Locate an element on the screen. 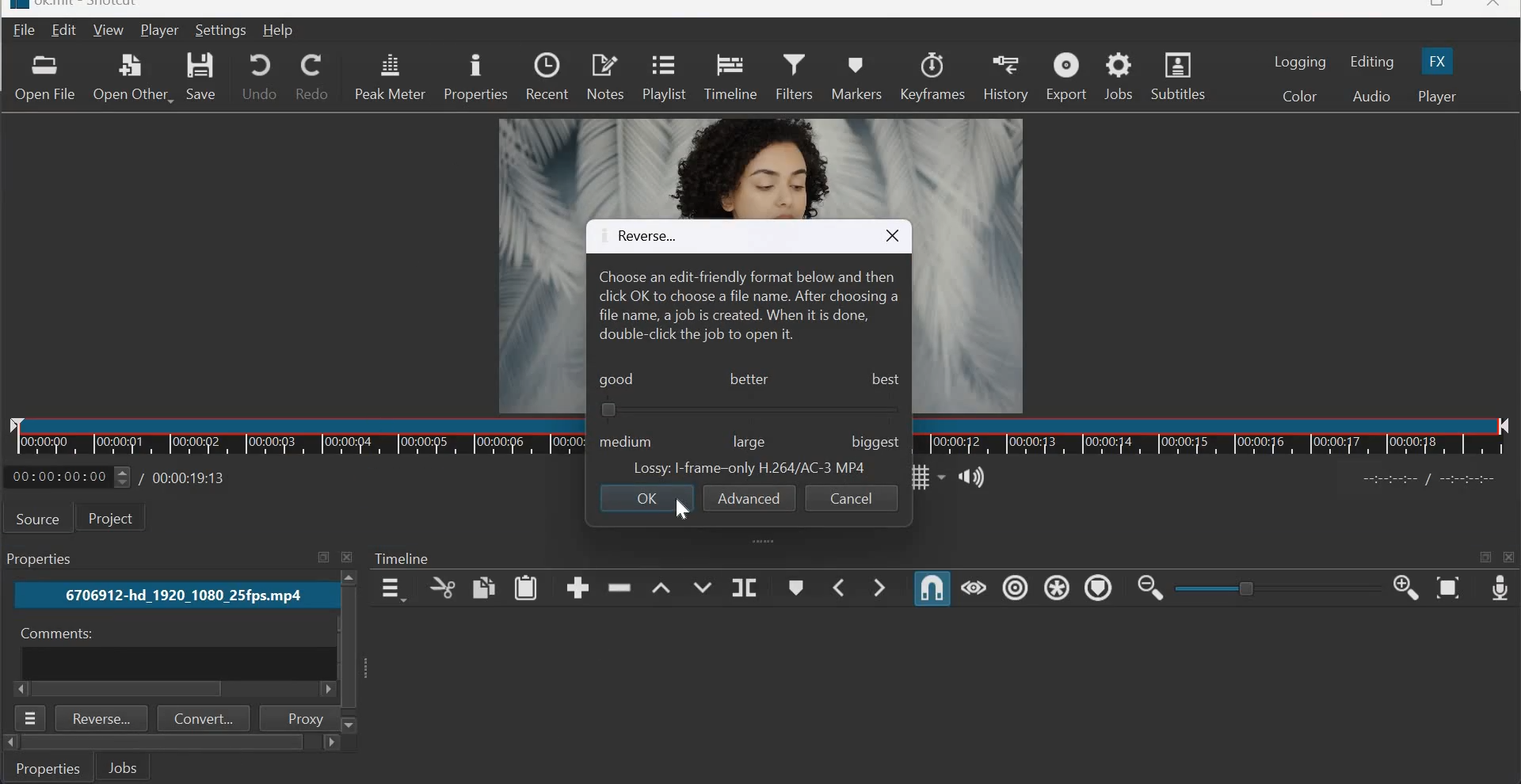 The image size is (1521, 784). FX is located at coordinates (1439, 59).